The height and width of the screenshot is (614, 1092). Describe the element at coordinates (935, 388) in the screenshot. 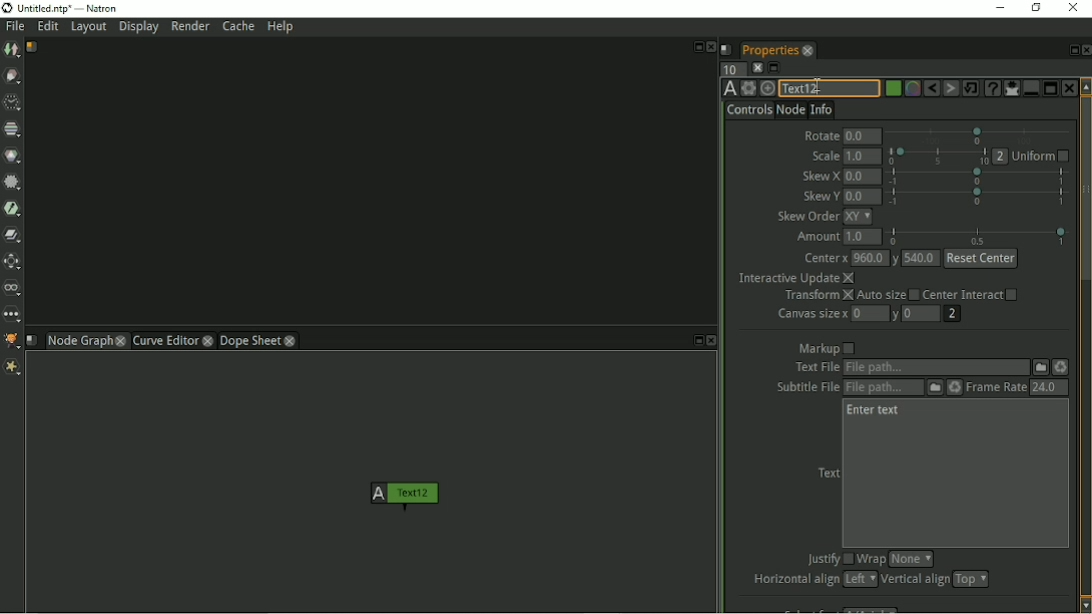

I see `Subtitle` at that location.